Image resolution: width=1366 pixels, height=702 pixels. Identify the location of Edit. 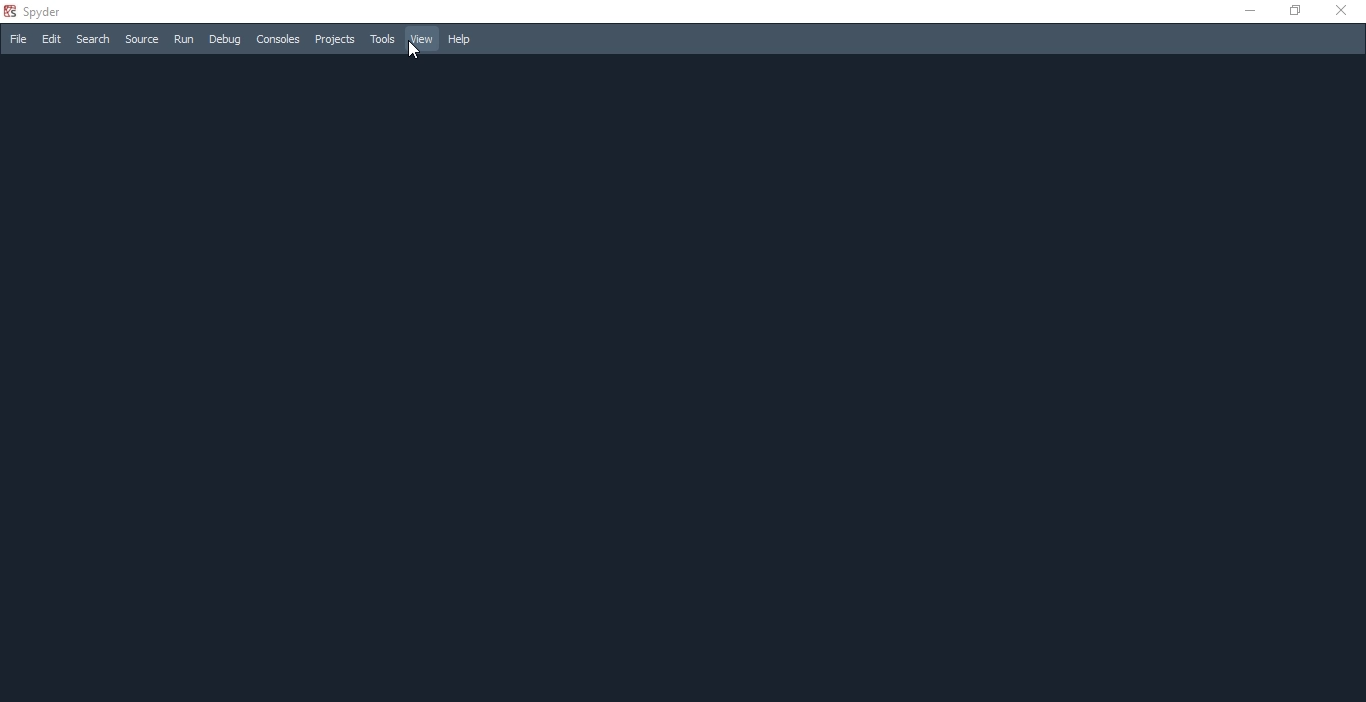
(52, 41).